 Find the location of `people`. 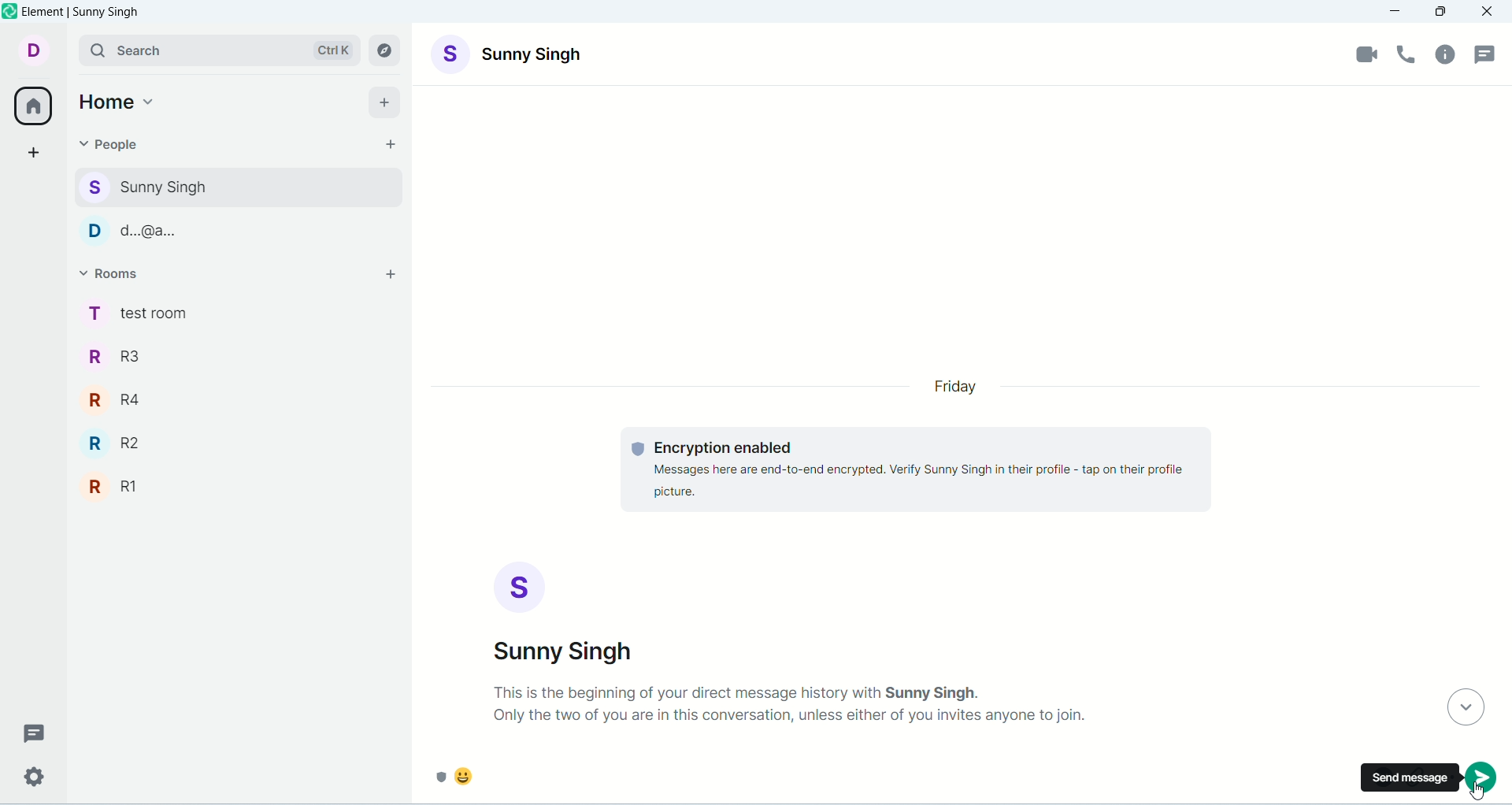

people is located at coordinates (111, 143).